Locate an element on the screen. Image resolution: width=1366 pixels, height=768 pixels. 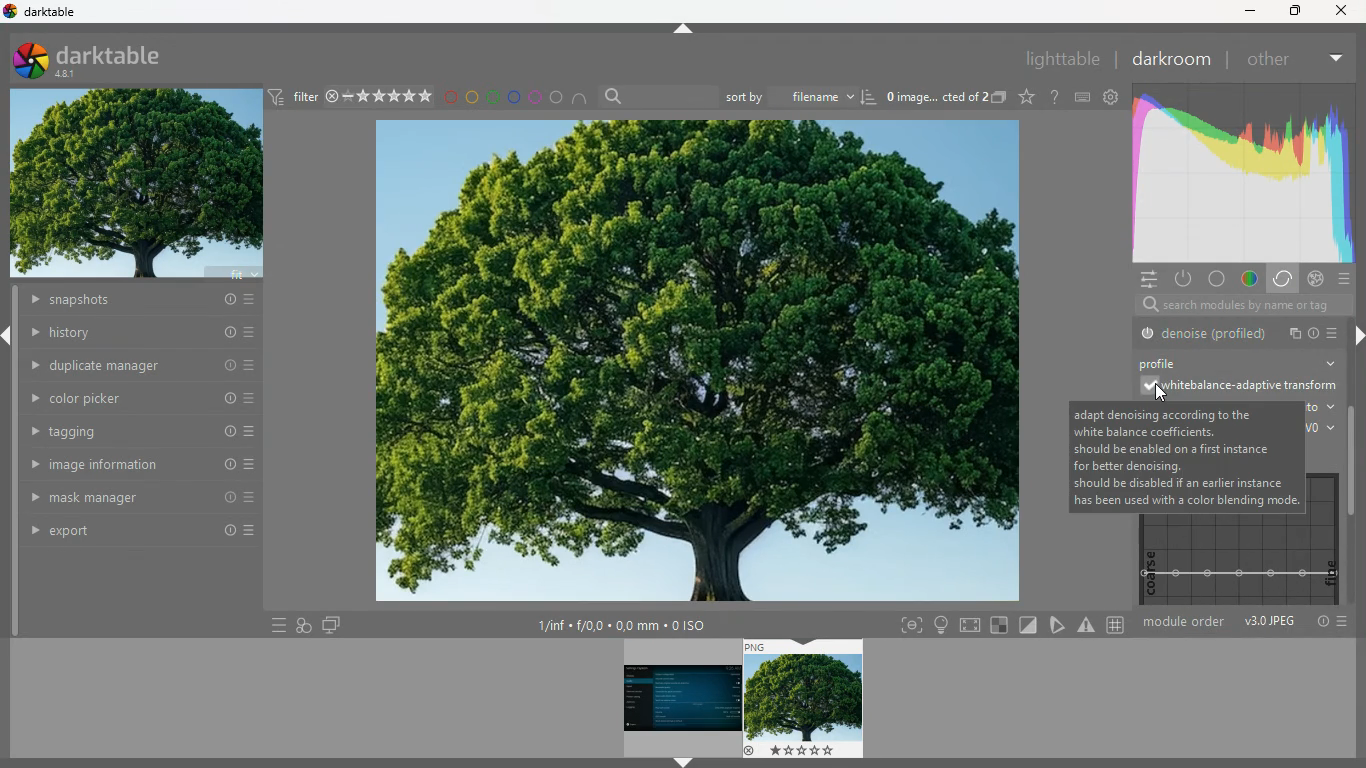
filter is located at coordinates (295, 98).